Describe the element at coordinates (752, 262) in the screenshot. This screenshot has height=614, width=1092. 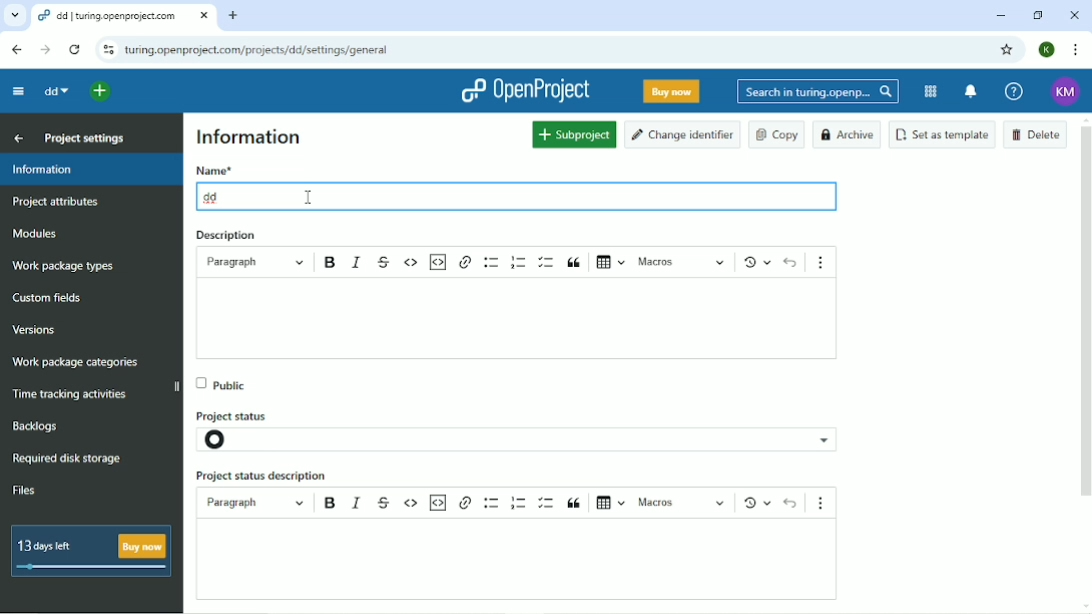
I see `Show local modifications` at that location.